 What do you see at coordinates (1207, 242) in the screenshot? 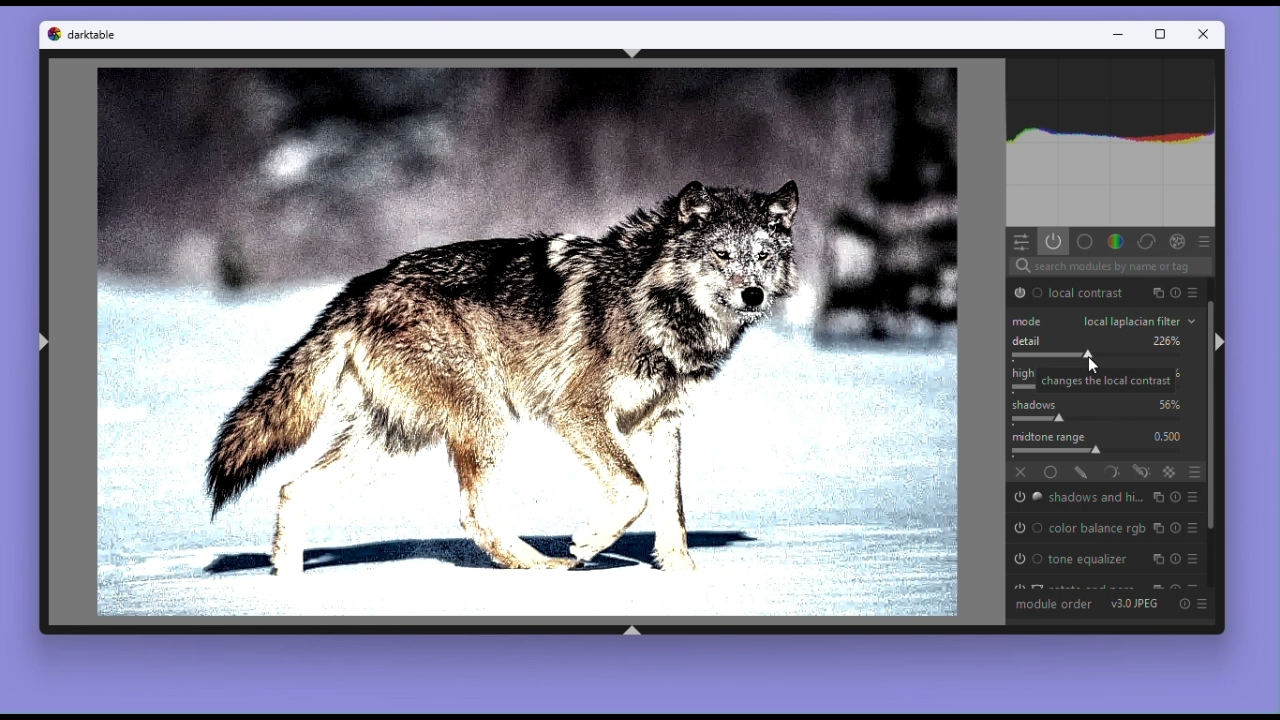
I see `presets` at bounding box center [1207, 242].